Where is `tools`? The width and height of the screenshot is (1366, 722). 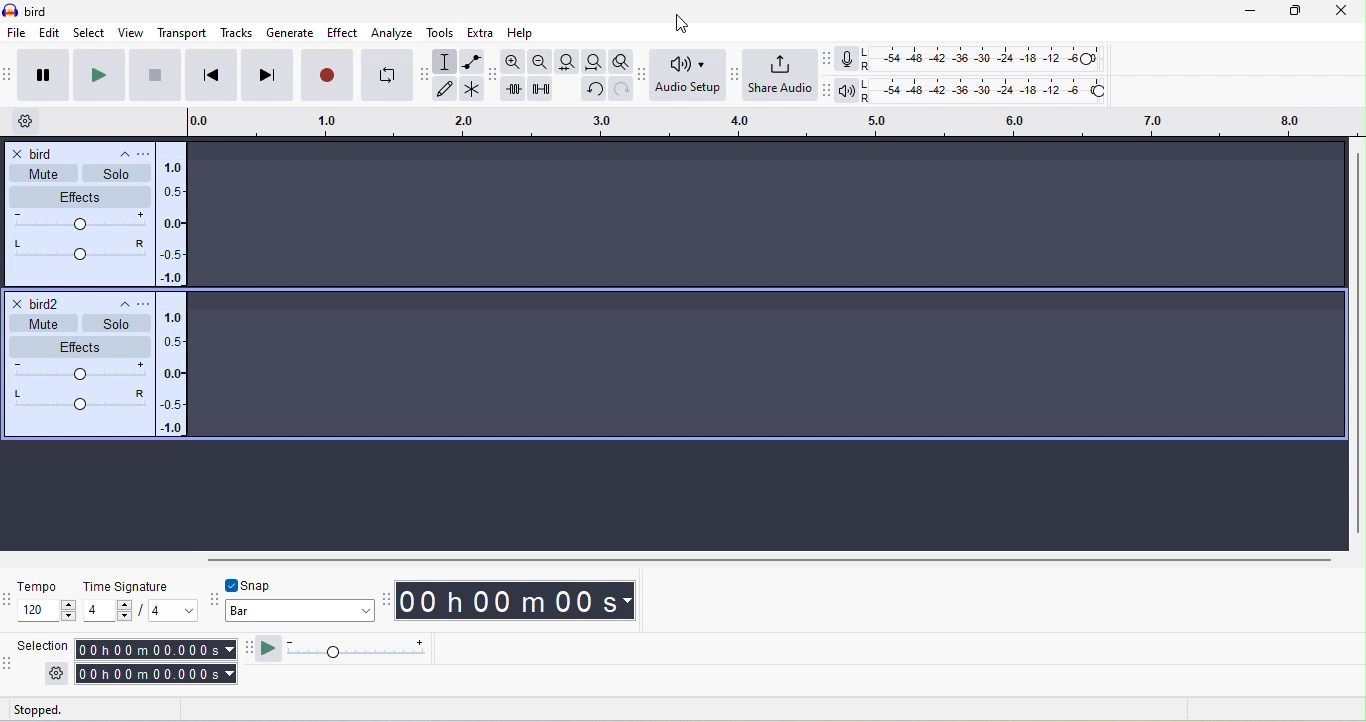 tools is located at coordinates (438, 33).